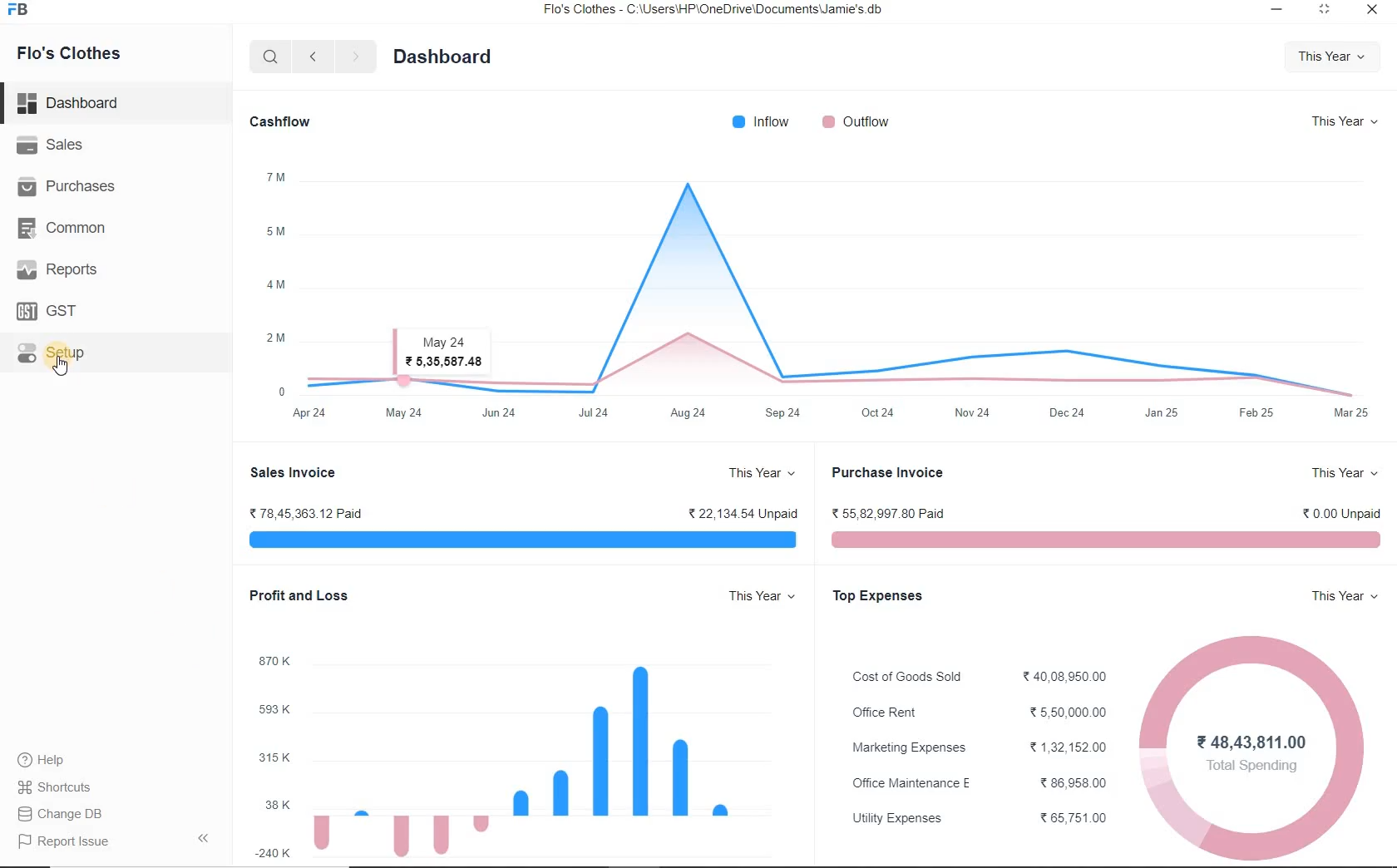  What do you see at coordinates (274, 853) in the screenshot?
I see `240K` at bounding box center [274, 853].